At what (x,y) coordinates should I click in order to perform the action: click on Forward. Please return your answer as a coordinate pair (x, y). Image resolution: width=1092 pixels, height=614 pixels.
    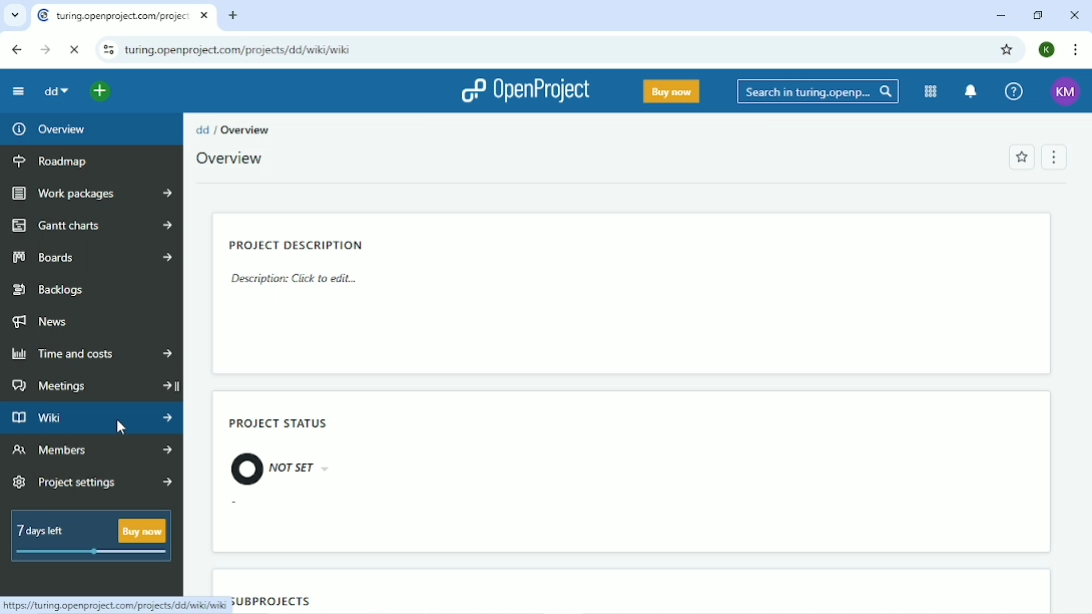
    Looking at the image, I should click on (45, 50).